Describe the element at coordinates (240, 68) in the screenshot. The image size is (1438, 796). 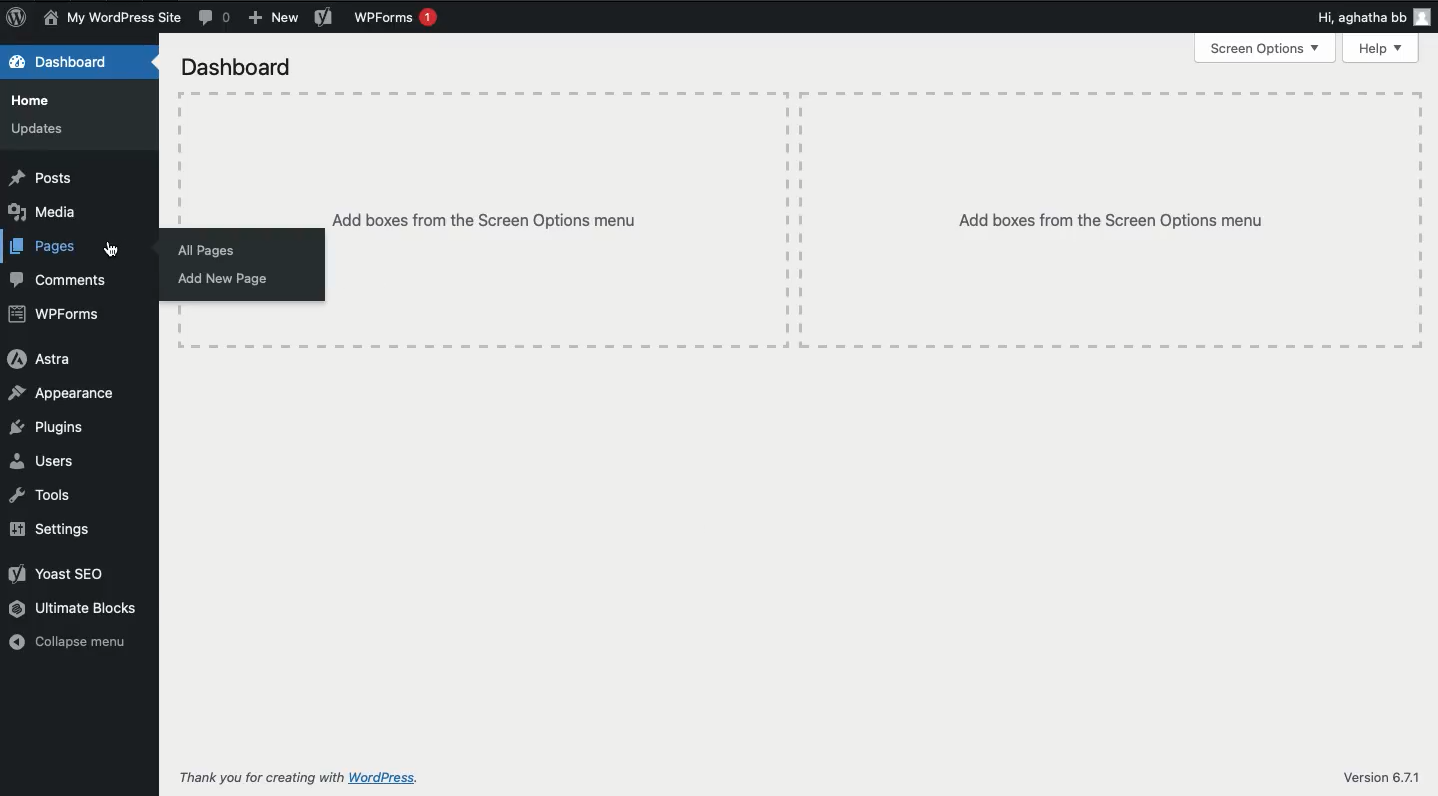
I see `Dashboard` at that location.